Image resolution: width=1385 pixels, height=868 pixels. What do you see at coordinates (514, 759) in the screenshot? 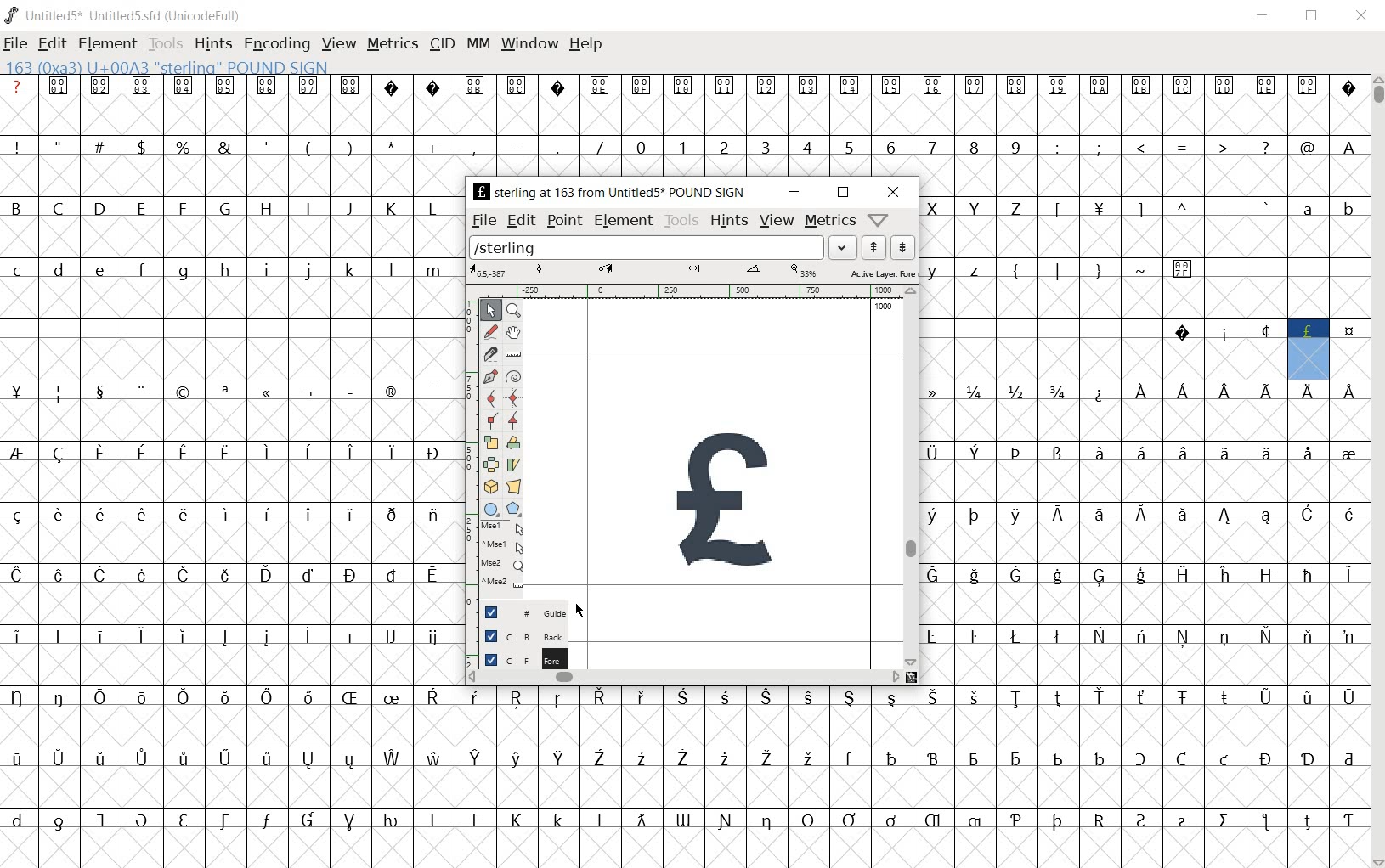
I see `Symbol` at bounding box center [514, 759].